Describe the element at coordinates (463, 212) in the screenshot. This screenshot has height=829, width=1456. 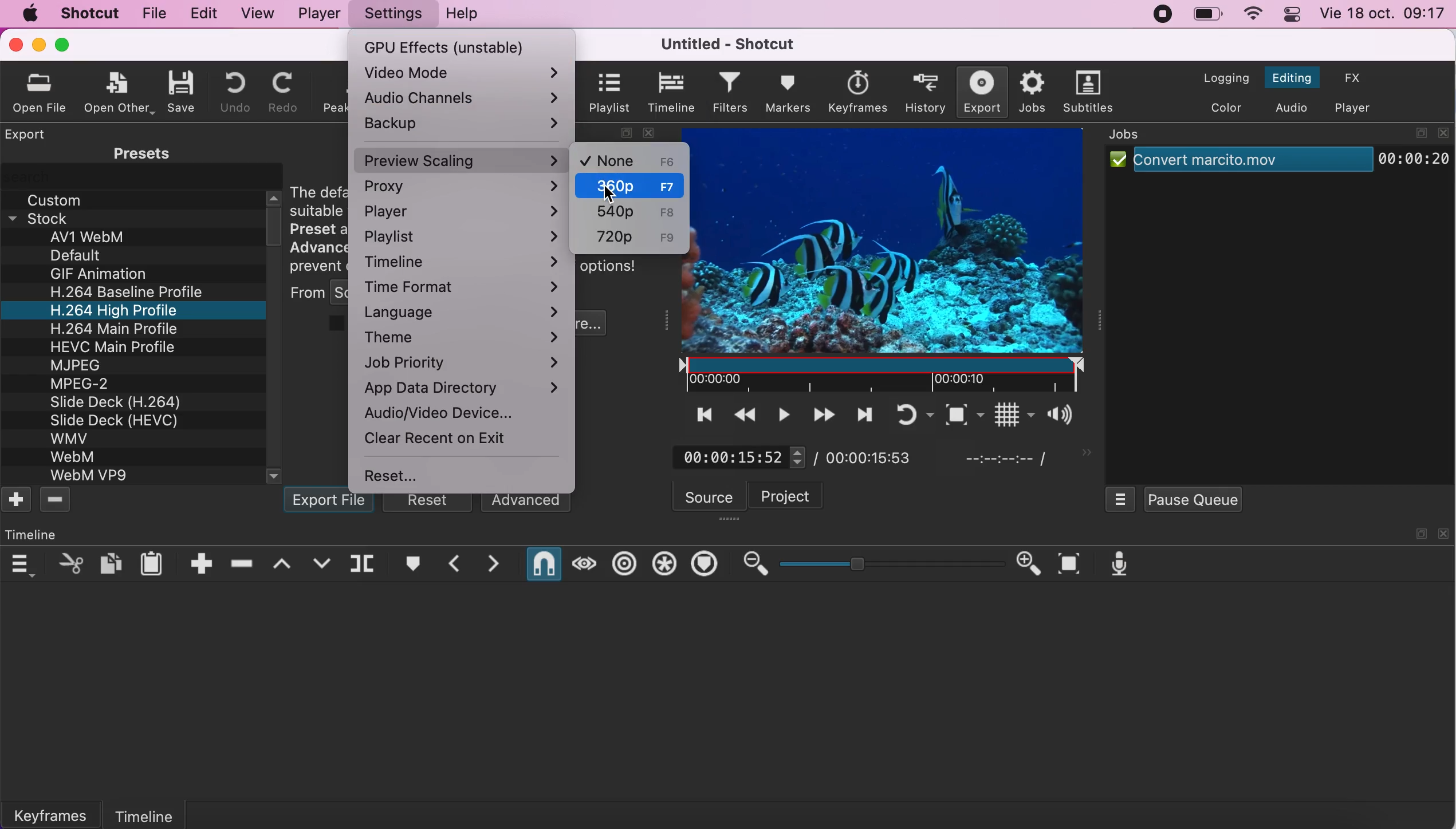
I see `player` at that location.